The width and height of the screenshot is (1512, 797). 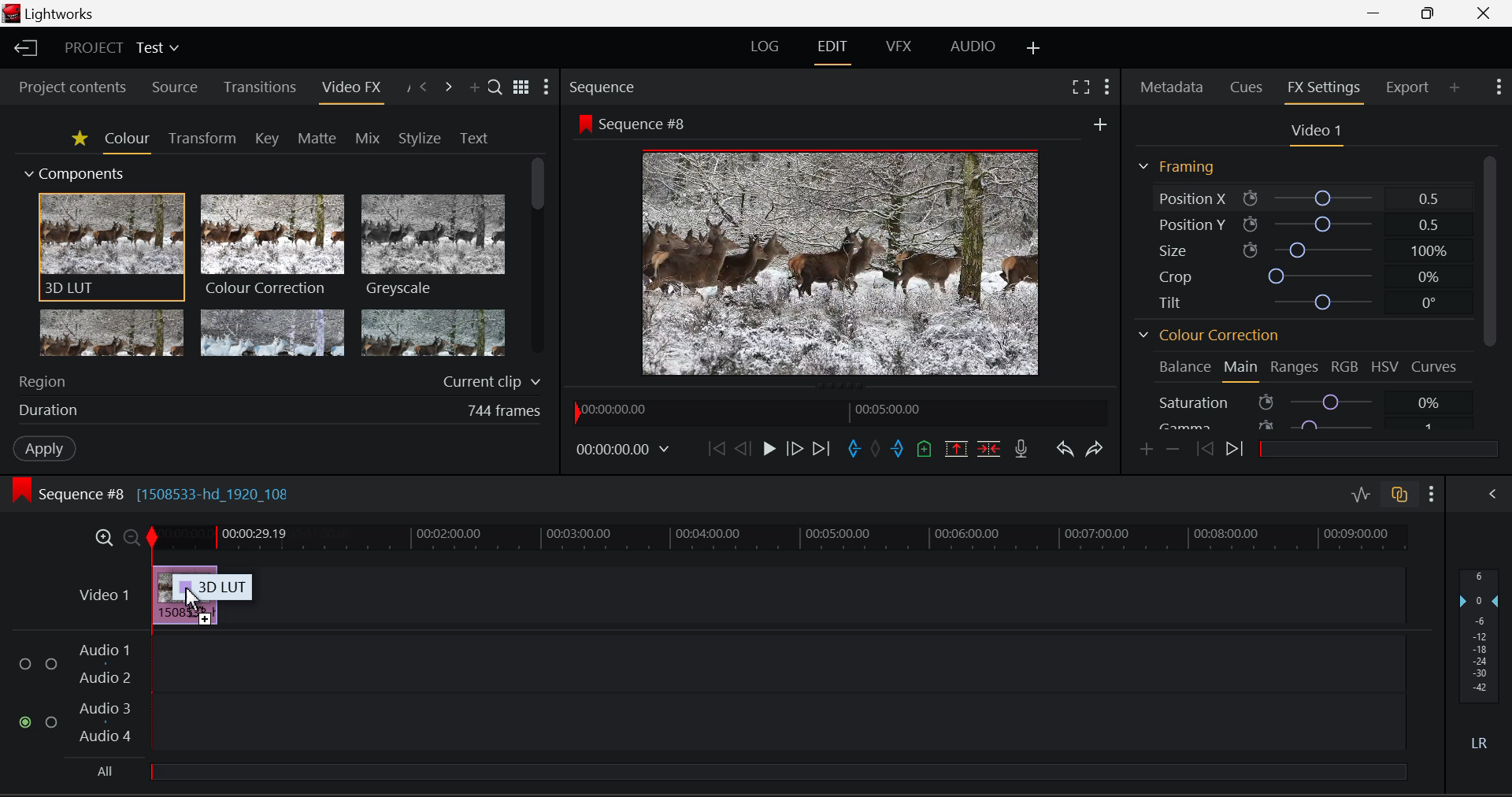 I want to click on Decibel Level, so click(x=1483, y=662).